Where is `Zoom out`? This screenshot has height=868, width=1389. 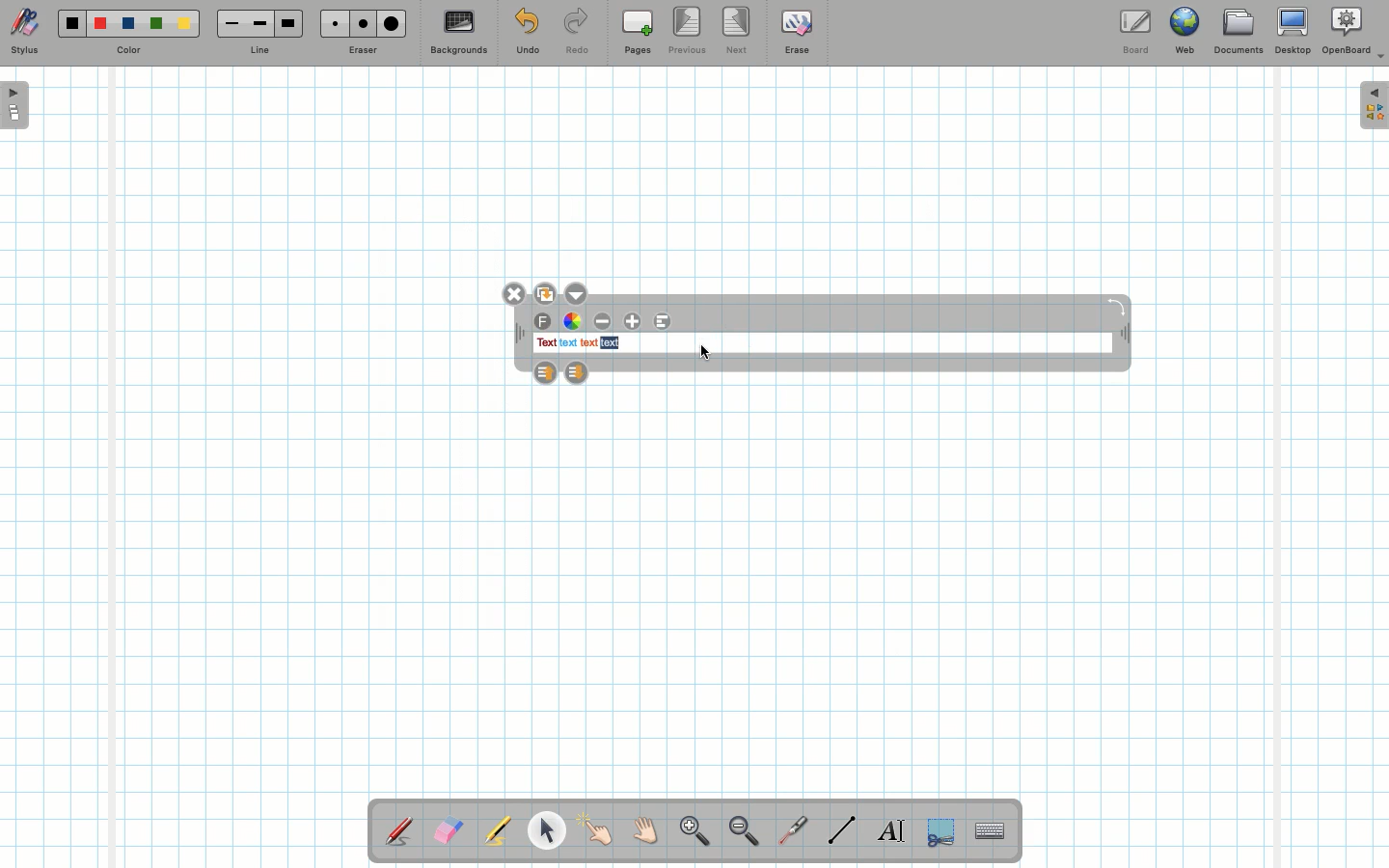 Zoom out is located at coordinates (744, 832).